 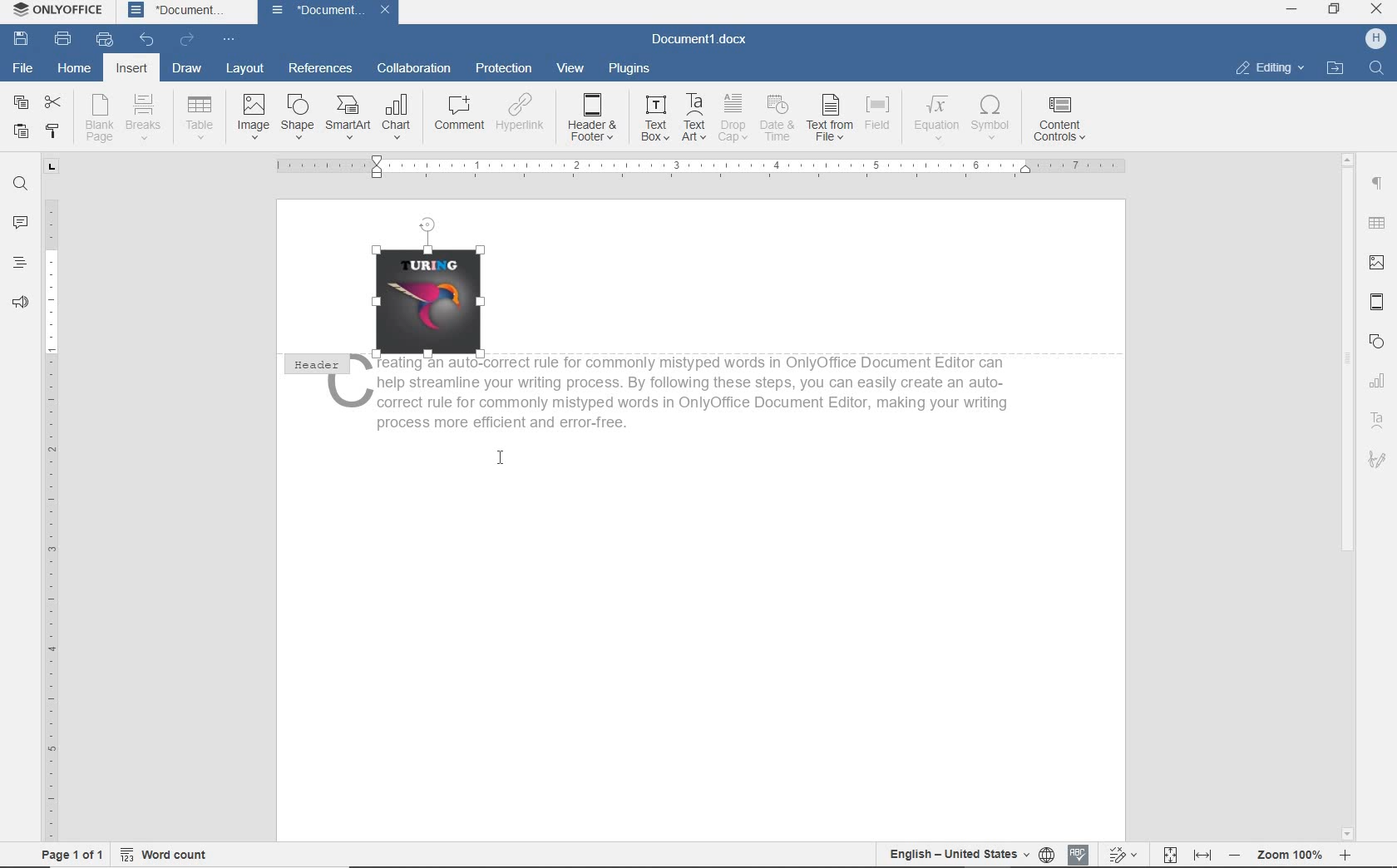 I want to click on Chart, so click(x=1380, y=382).